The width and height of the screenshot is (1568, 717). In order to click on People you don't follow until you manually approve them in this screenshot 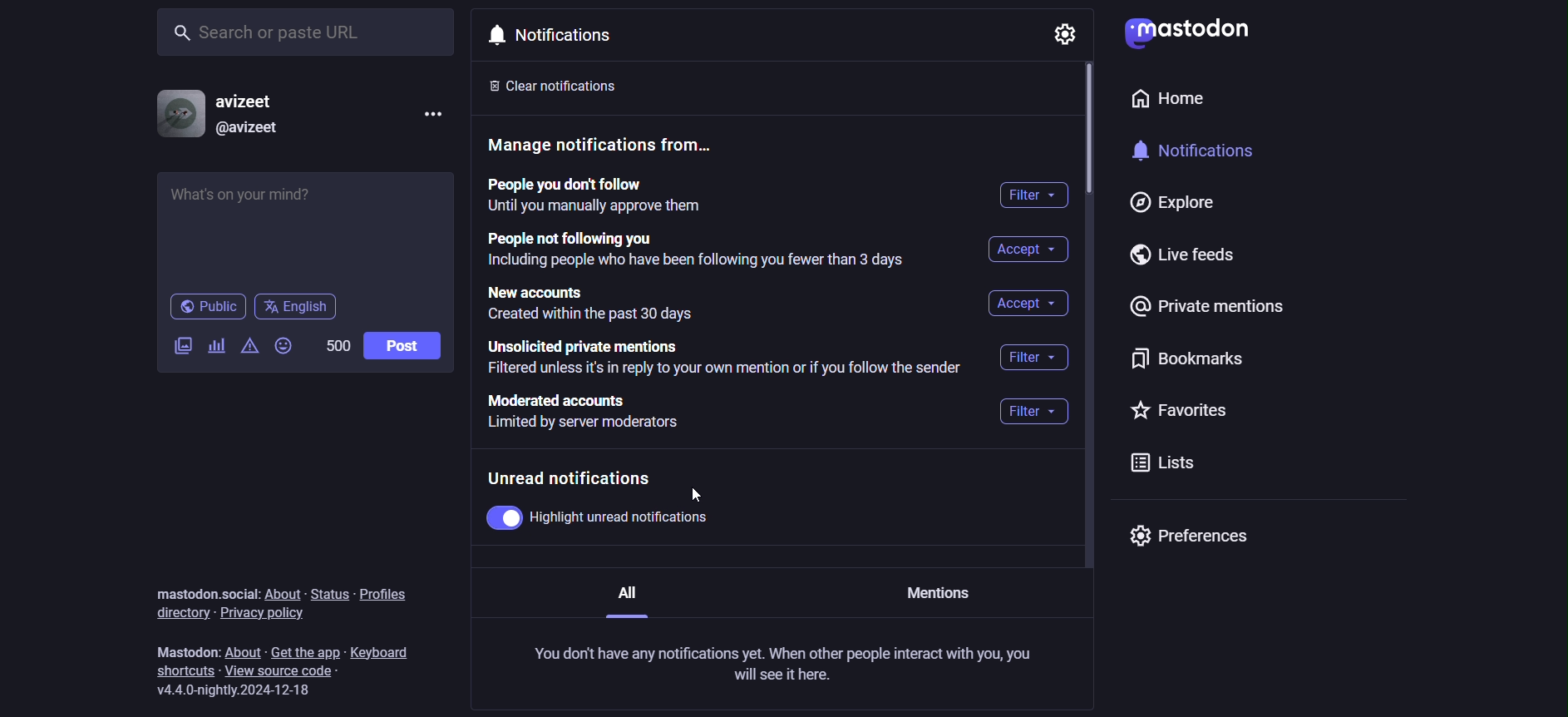, I will do `click(603, 196)`.